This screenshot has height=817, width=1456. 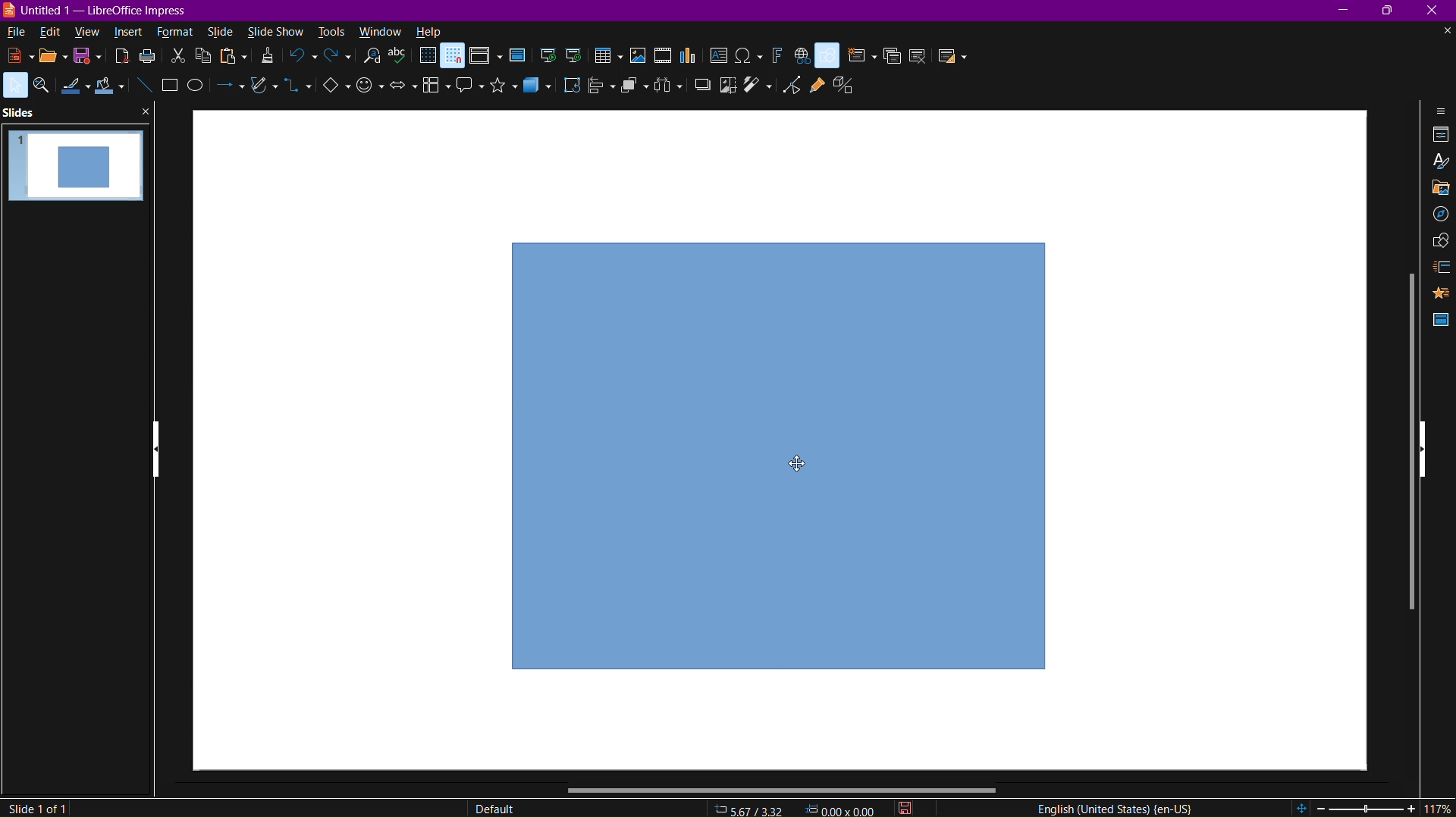 I want to click on close pane, so click(x=145, y=112).